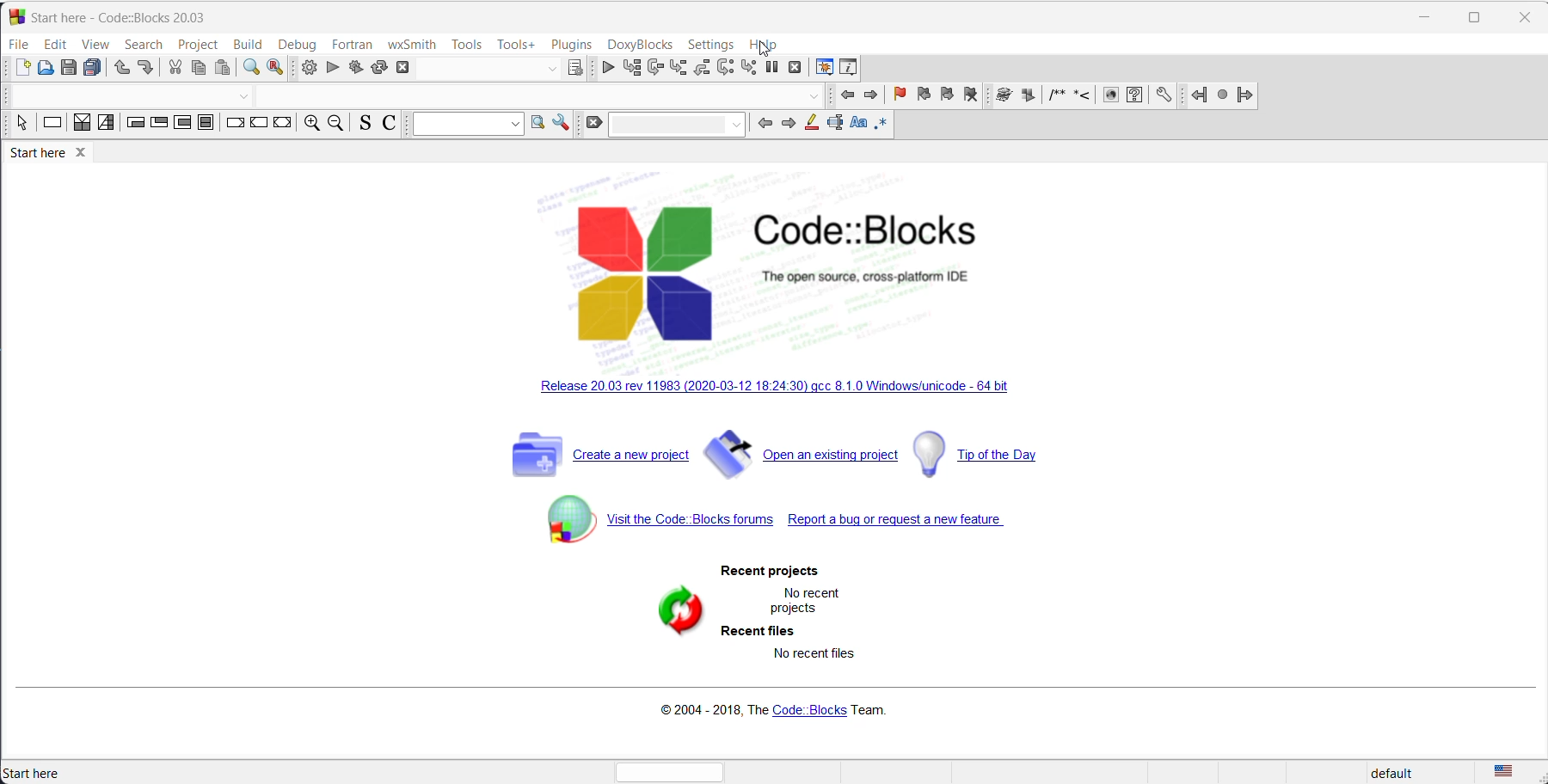  Describe the element at coordinates (20, 126) in the screenshot. I see `select` at that location.